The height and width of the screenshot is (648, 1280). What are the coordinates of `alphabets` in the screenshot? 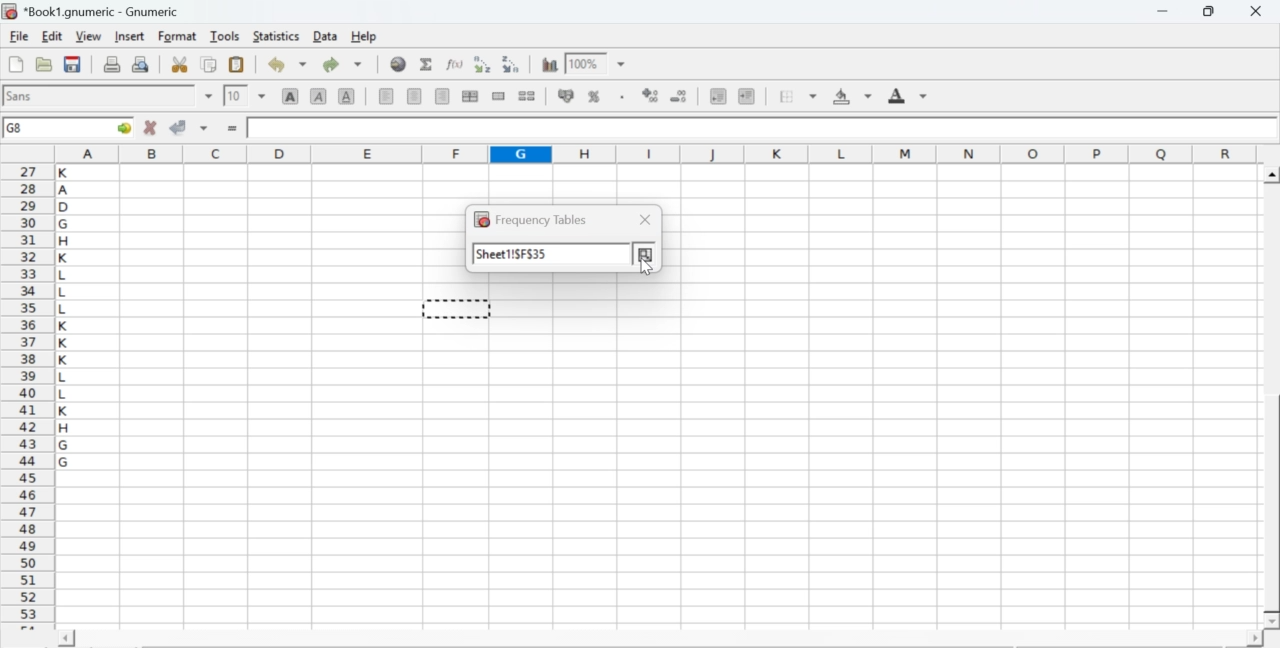 It's located at (65, 393).